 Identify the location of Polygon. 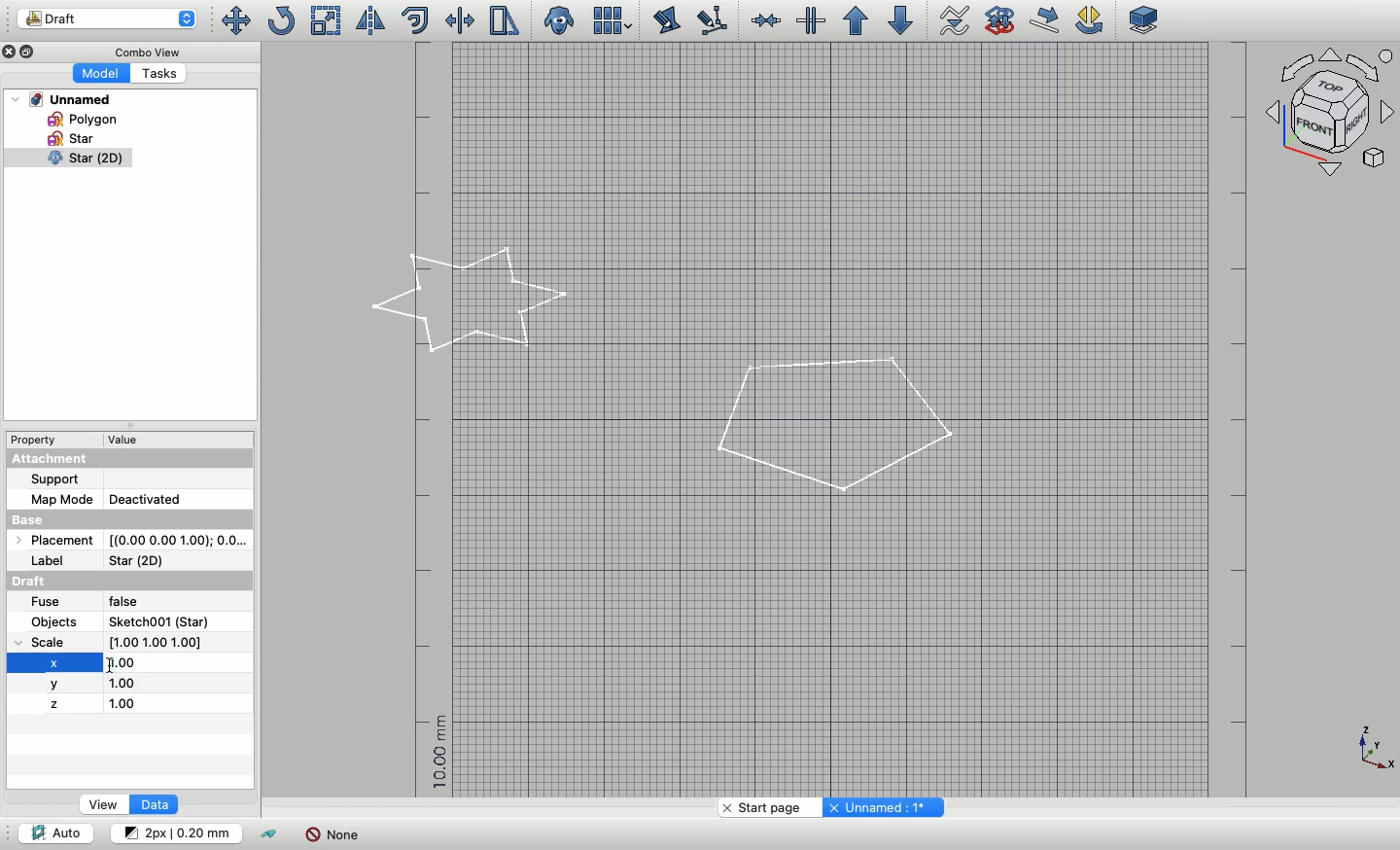
(833, 427).